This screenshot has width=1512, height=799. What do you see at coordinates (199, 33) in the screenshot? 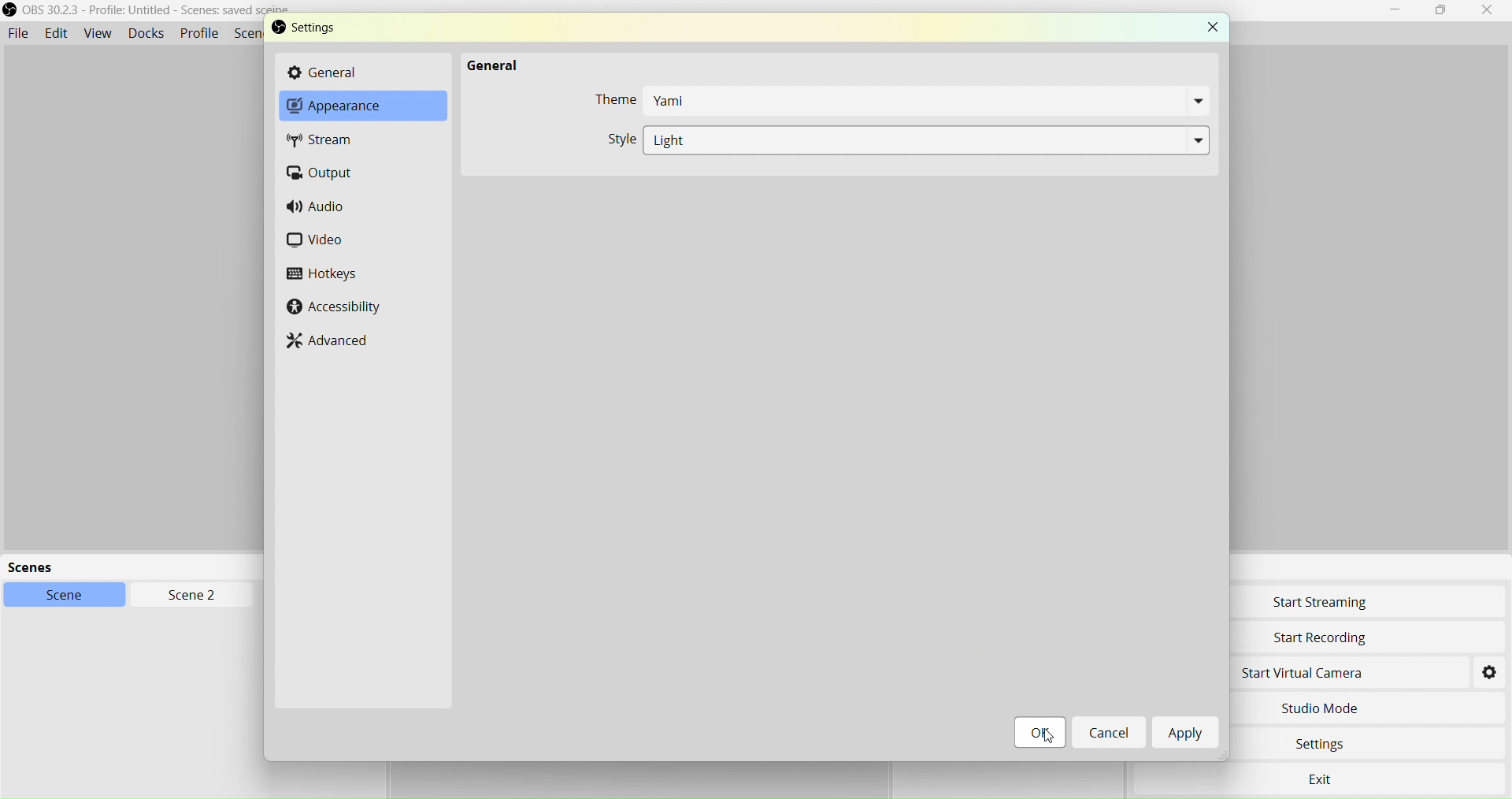
I see `Profile` at bounding box center [199, 33].